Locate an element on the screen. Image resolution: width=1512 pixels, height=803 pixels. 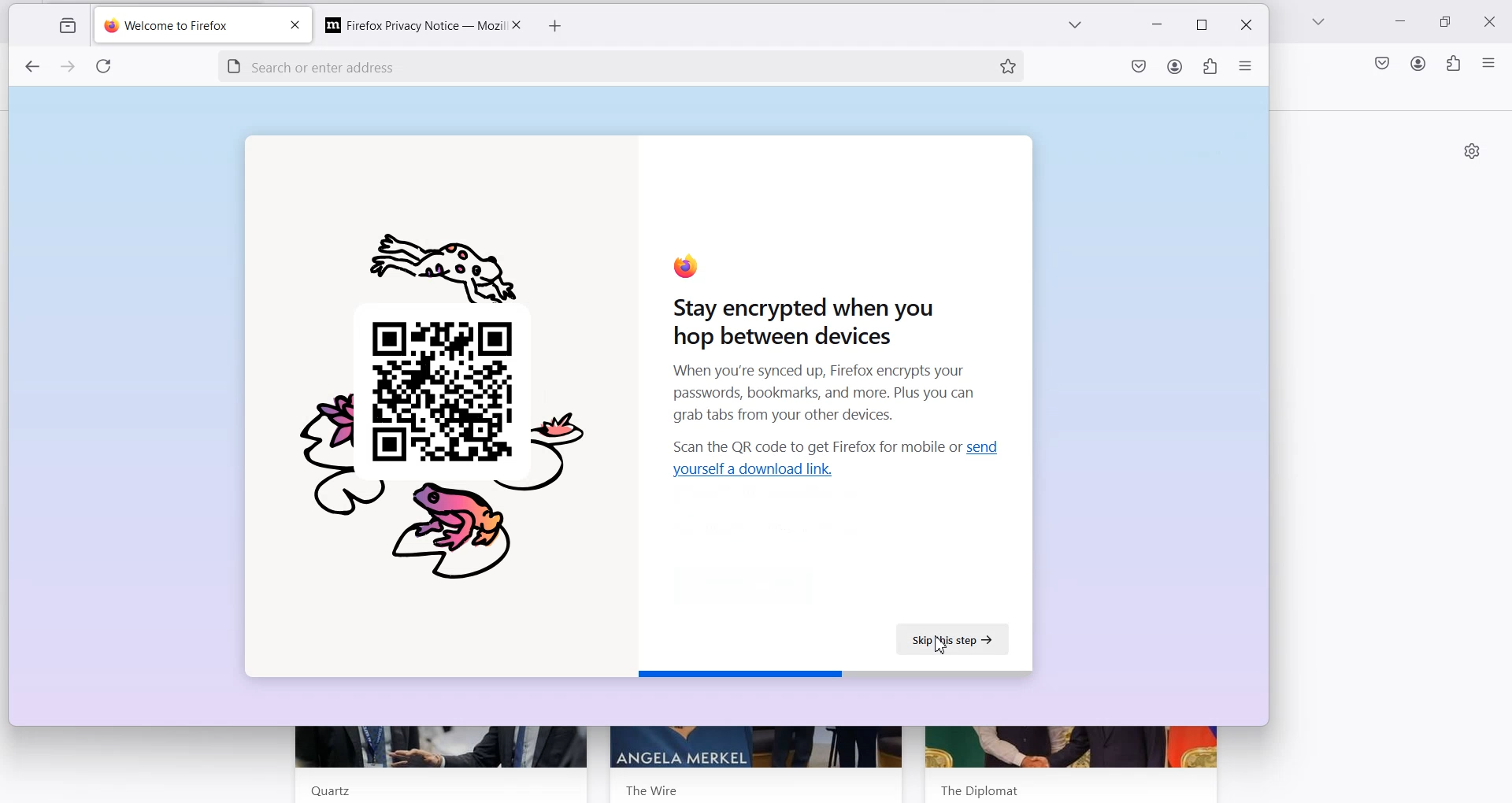
next page is located at coordinates (69, 68).